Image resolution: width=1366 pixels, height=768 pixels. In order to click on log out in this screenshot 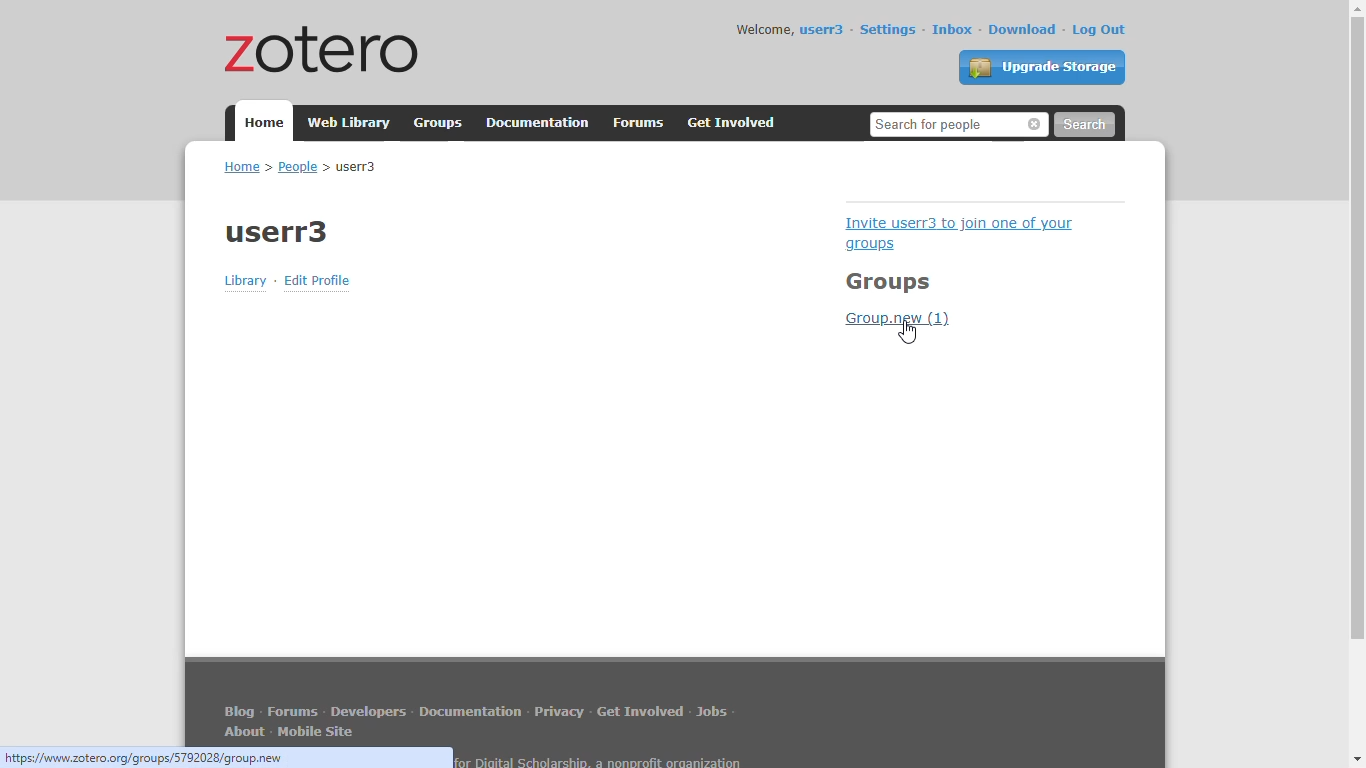, I will do `click(1100, 30)`.